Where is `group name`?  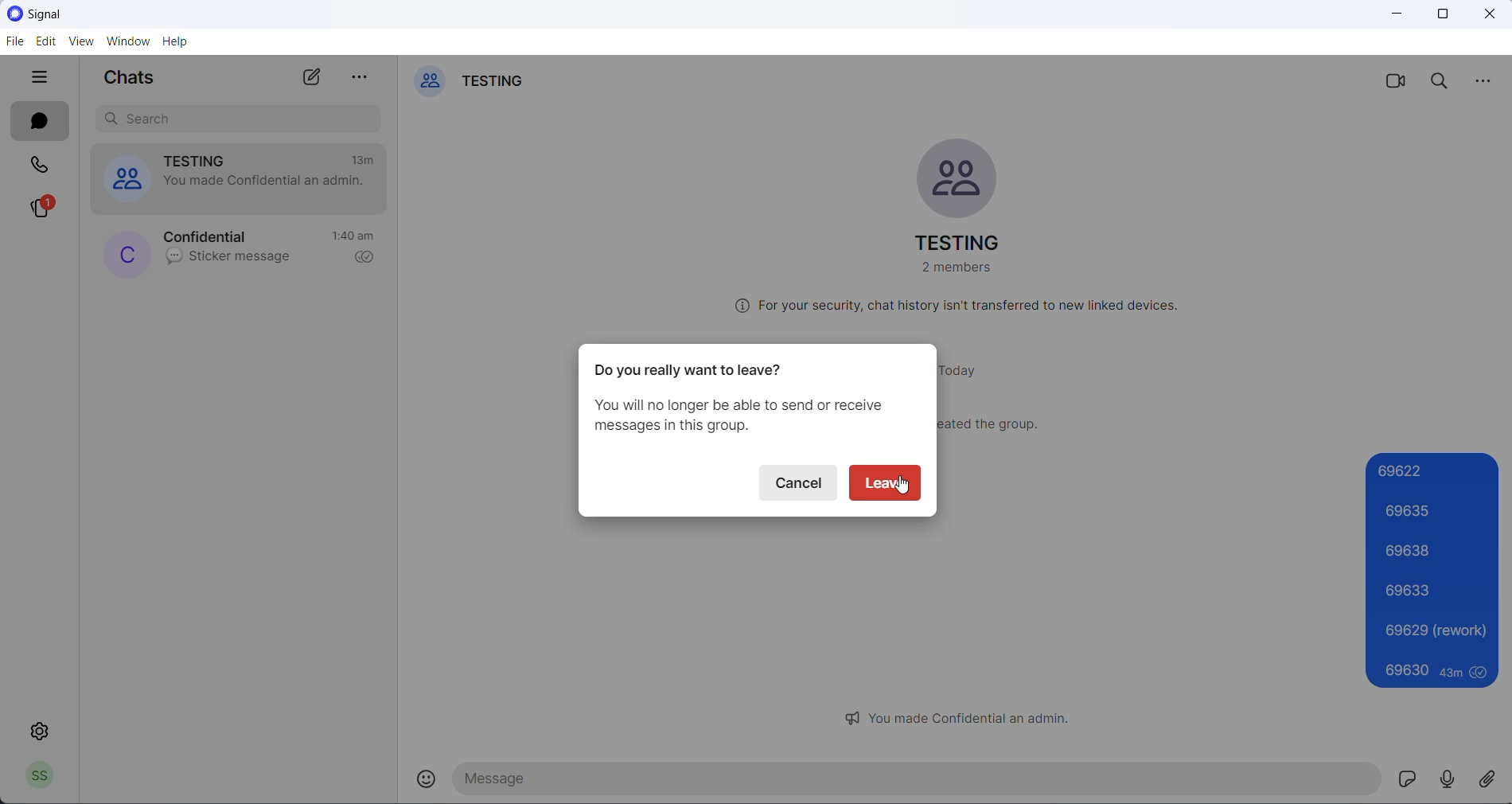 group name is located at coordinates (955, 244).